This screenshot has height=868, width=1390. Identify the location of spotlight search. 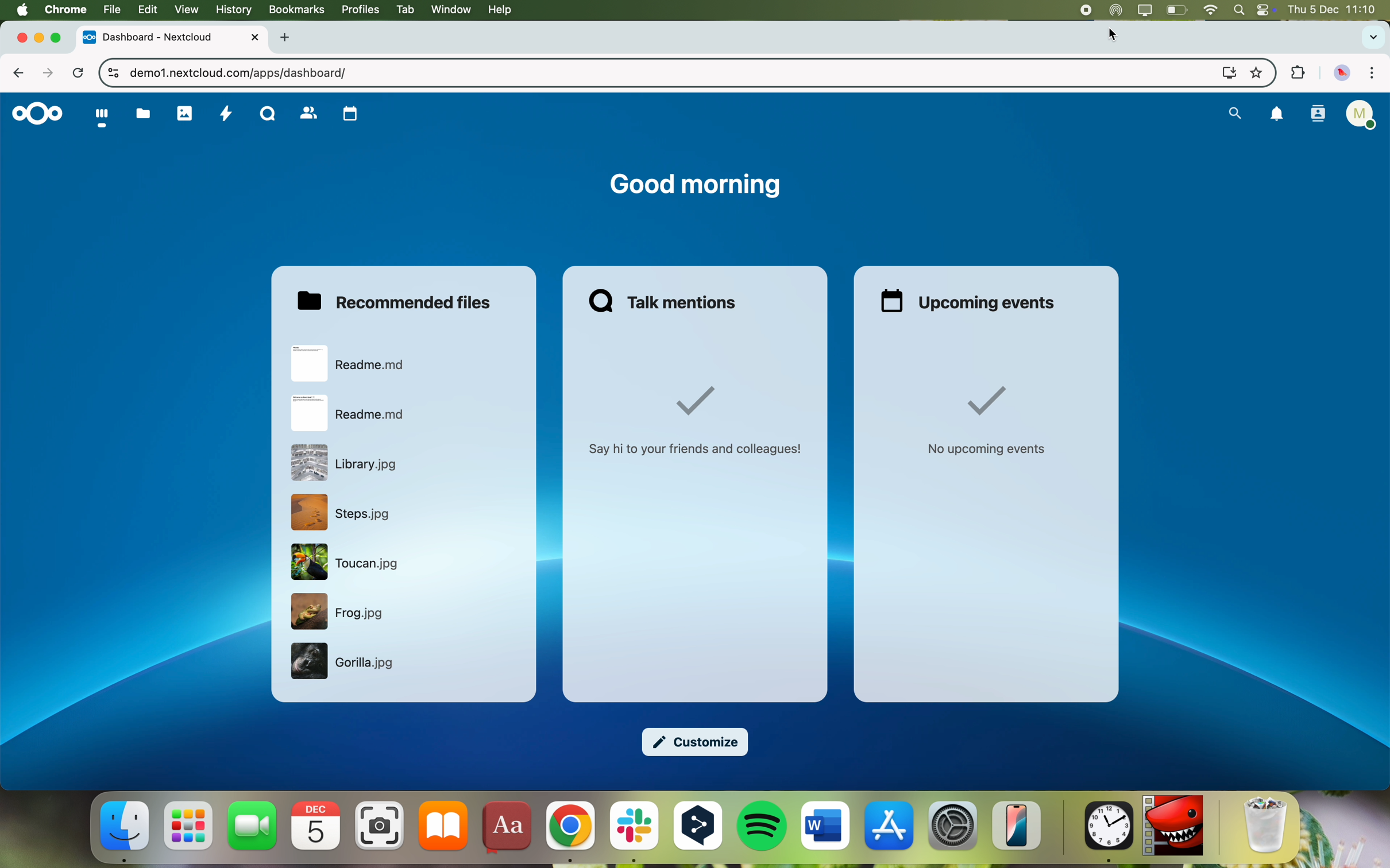
(1239, 9).